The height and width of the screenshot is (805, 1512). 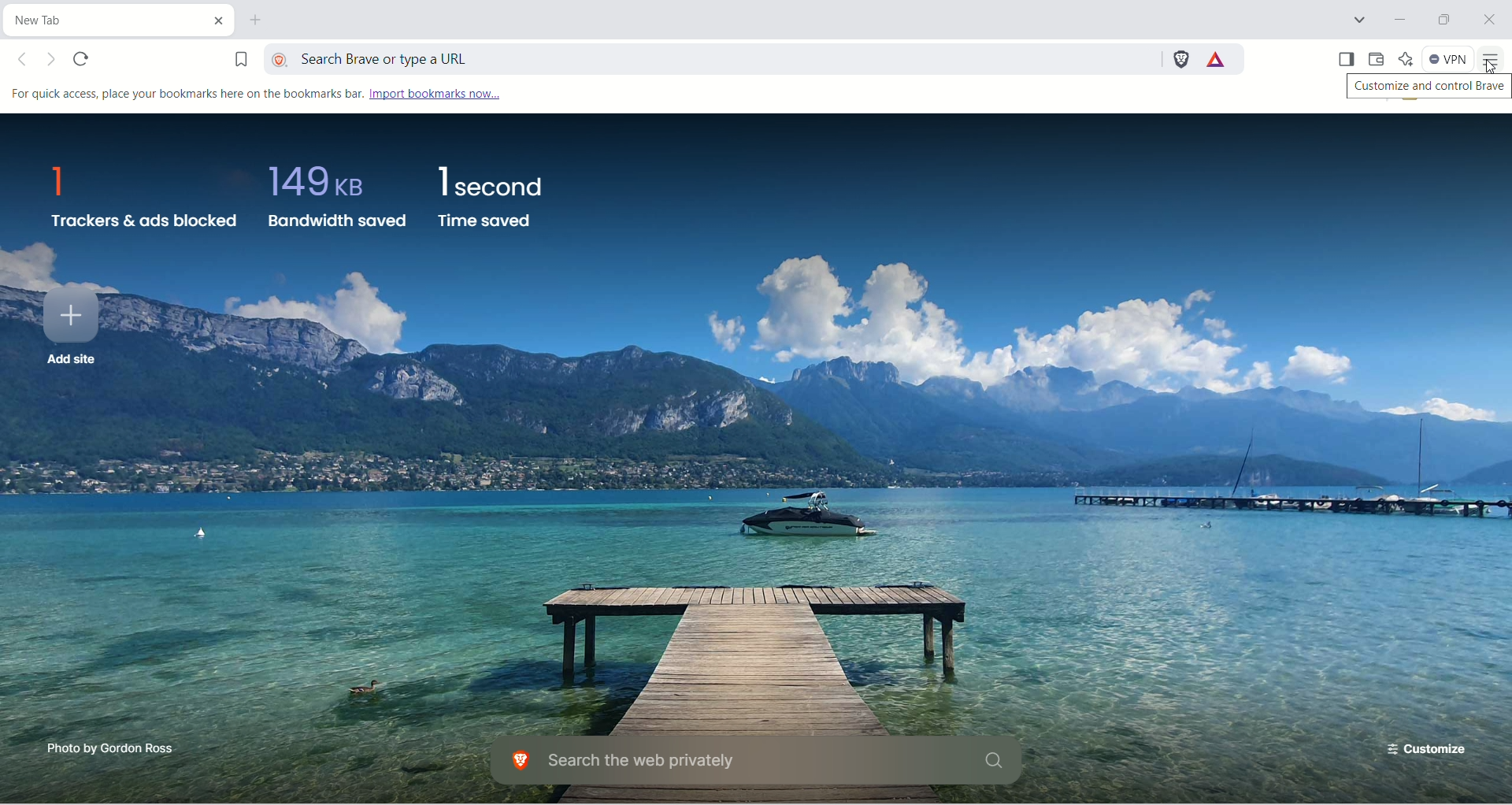 What do you see at coordinates (1448, 58) in the screenshot?
I see `VPN` at bounding box center [1448, 58].